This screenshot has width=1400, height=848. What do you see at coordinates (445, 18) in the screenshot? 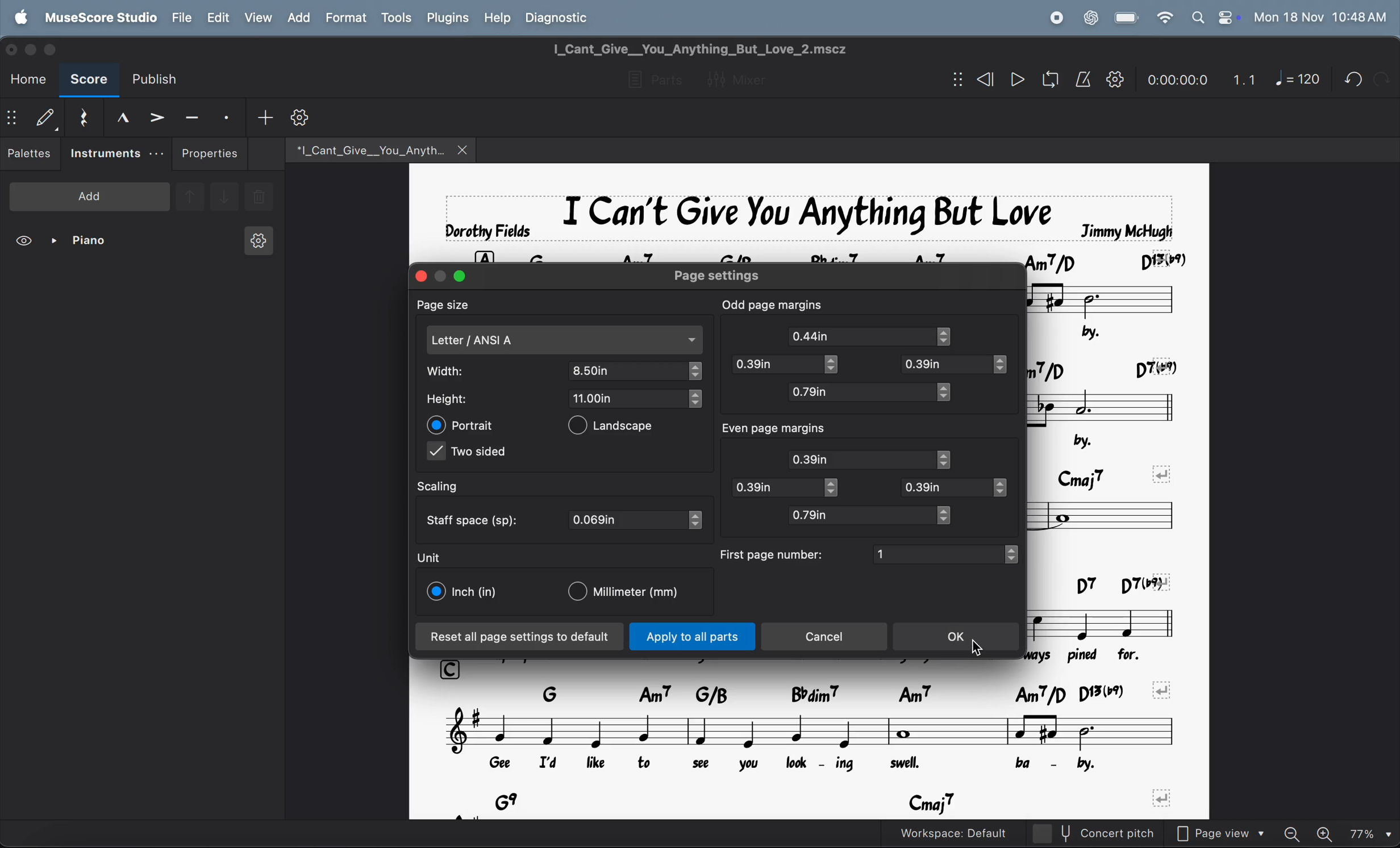
I see `plugins` at bounding box center [445, 18].